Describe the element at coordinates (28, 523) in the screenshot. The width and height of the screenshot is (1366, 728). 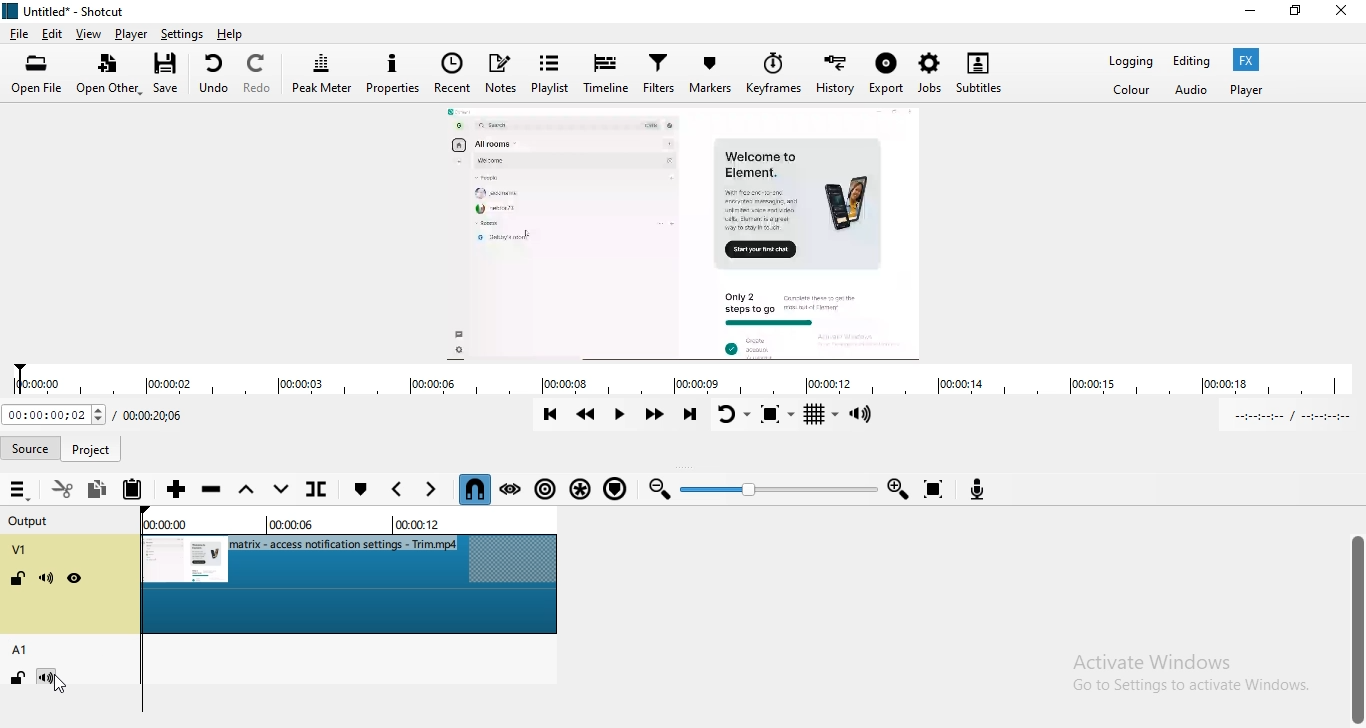
I see `Output` at that location.